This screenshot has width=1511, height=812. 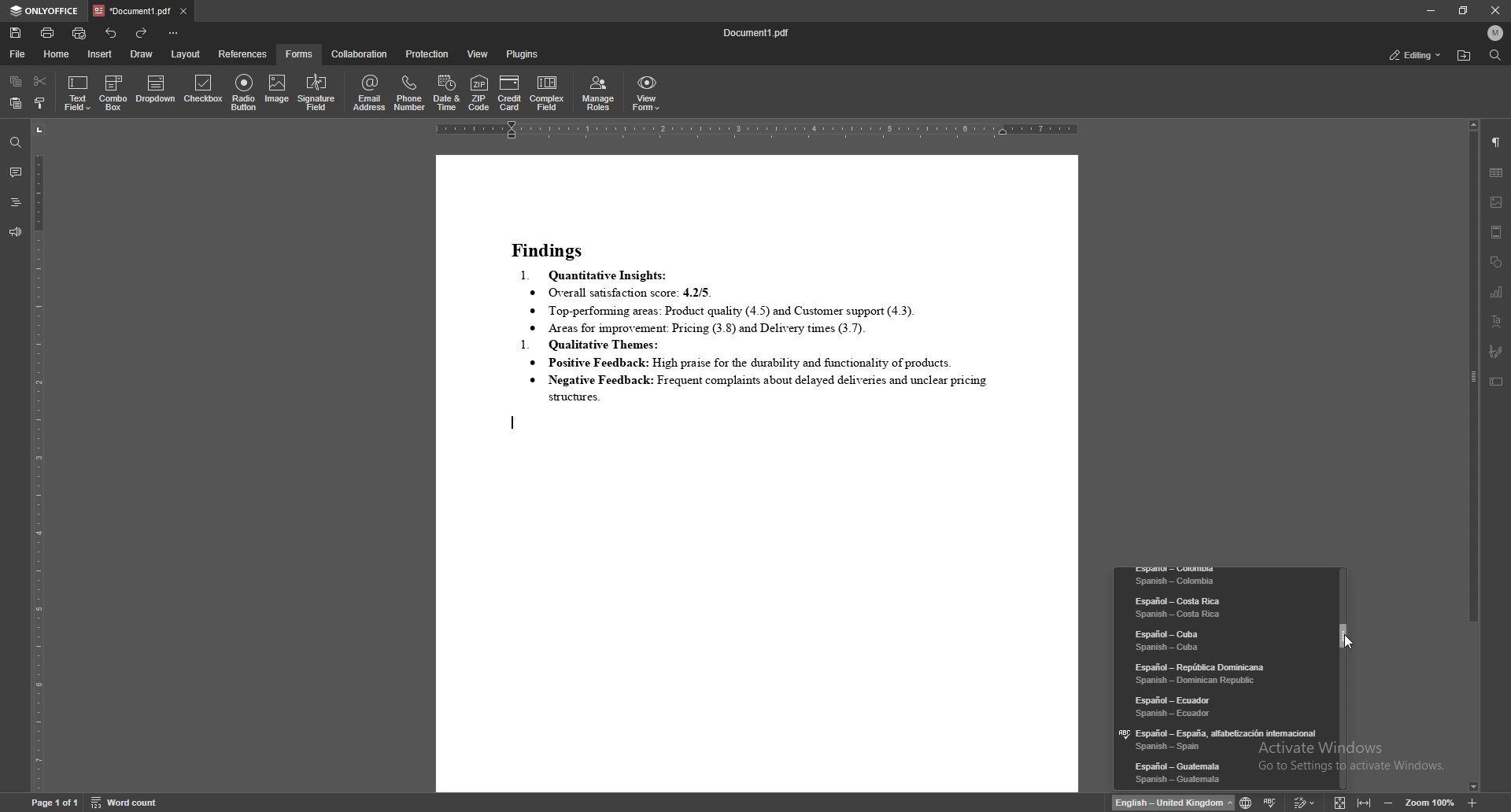 I want to click on decrease zoom, so click(x=1387, y=802).